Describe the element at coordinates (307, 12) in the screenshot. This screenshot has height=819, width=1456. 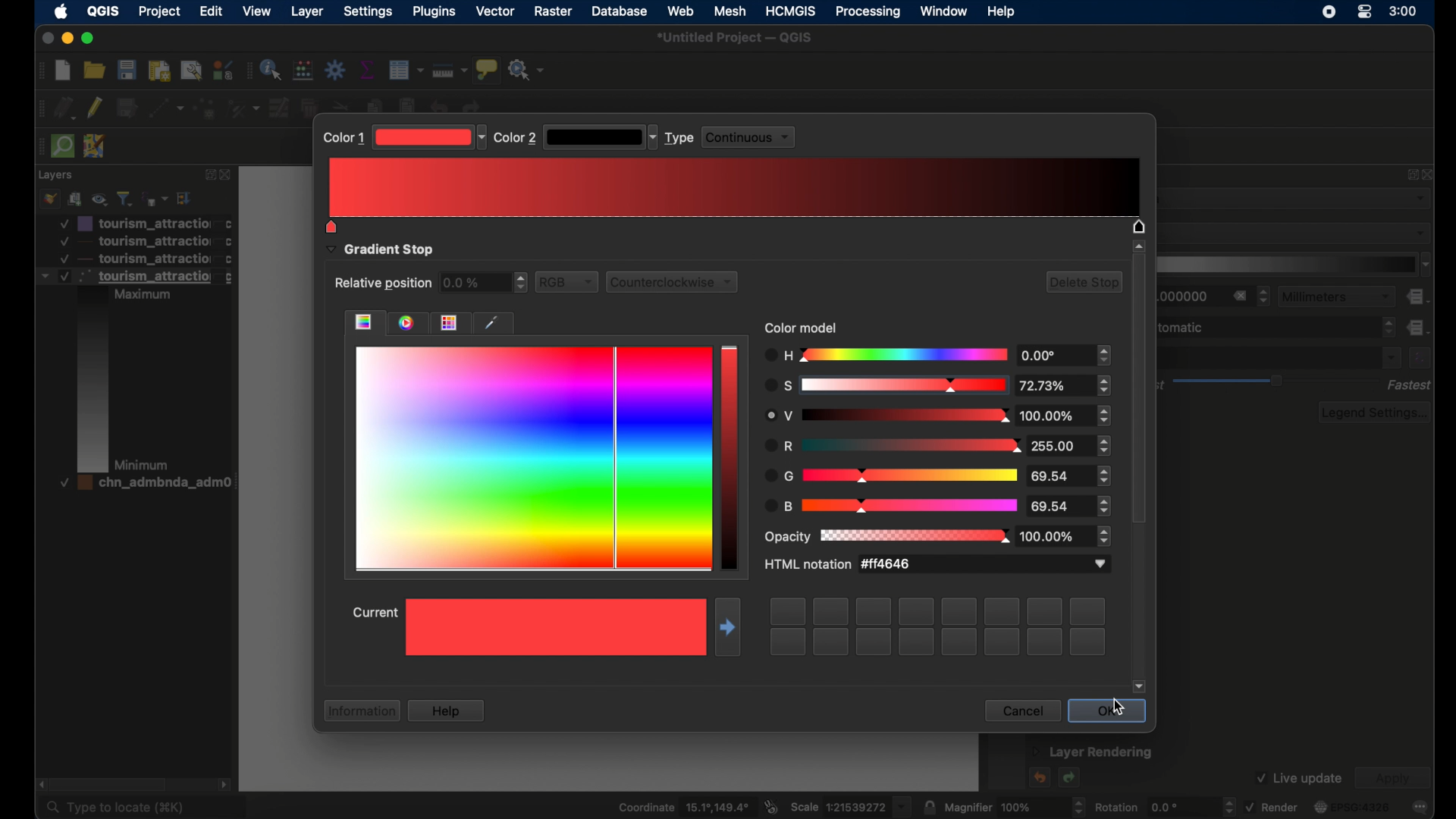
I see `layer` at that location.